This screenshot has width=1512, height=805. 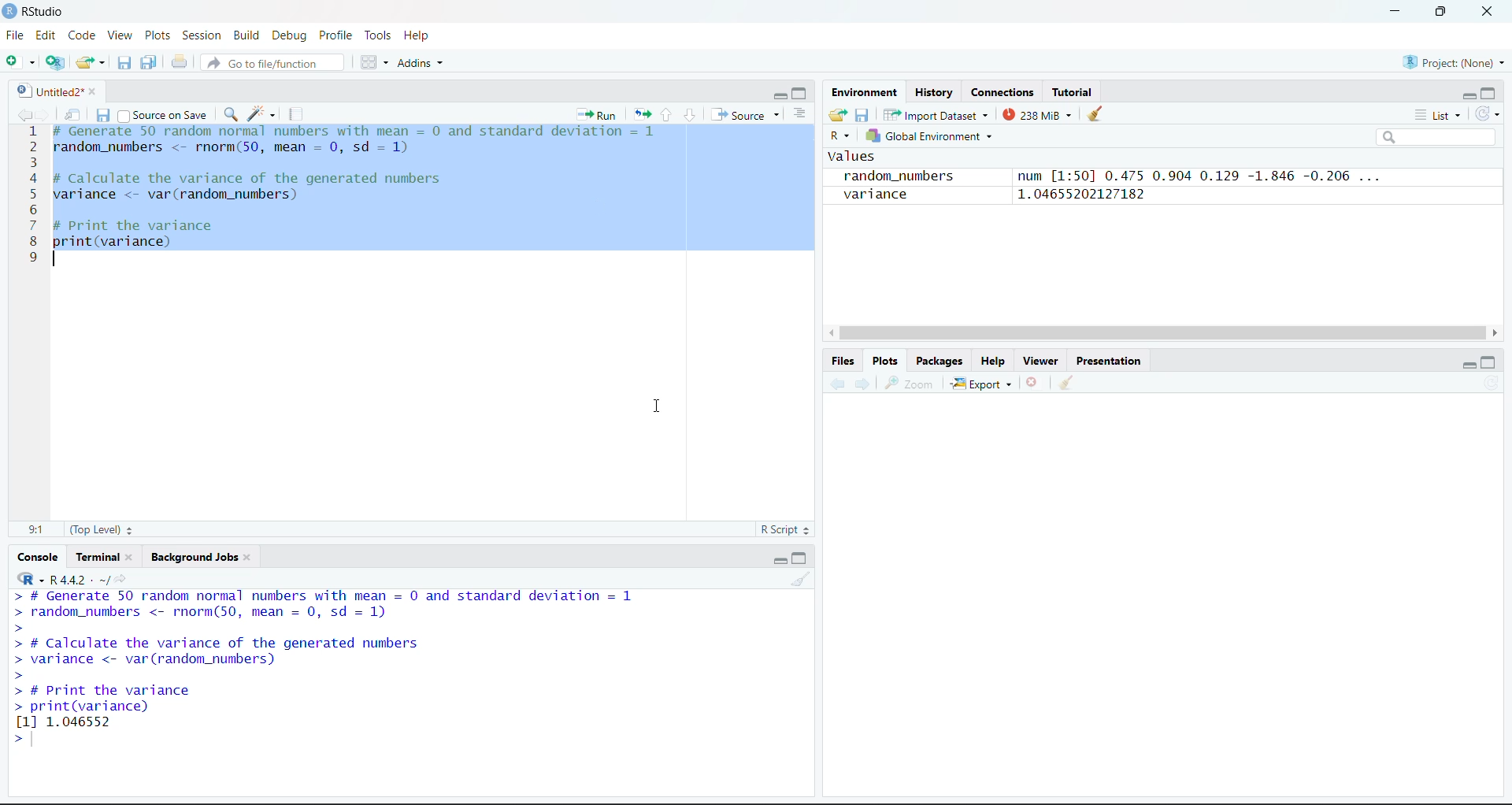 I want to click on Edit, so click(x=46, y=35).